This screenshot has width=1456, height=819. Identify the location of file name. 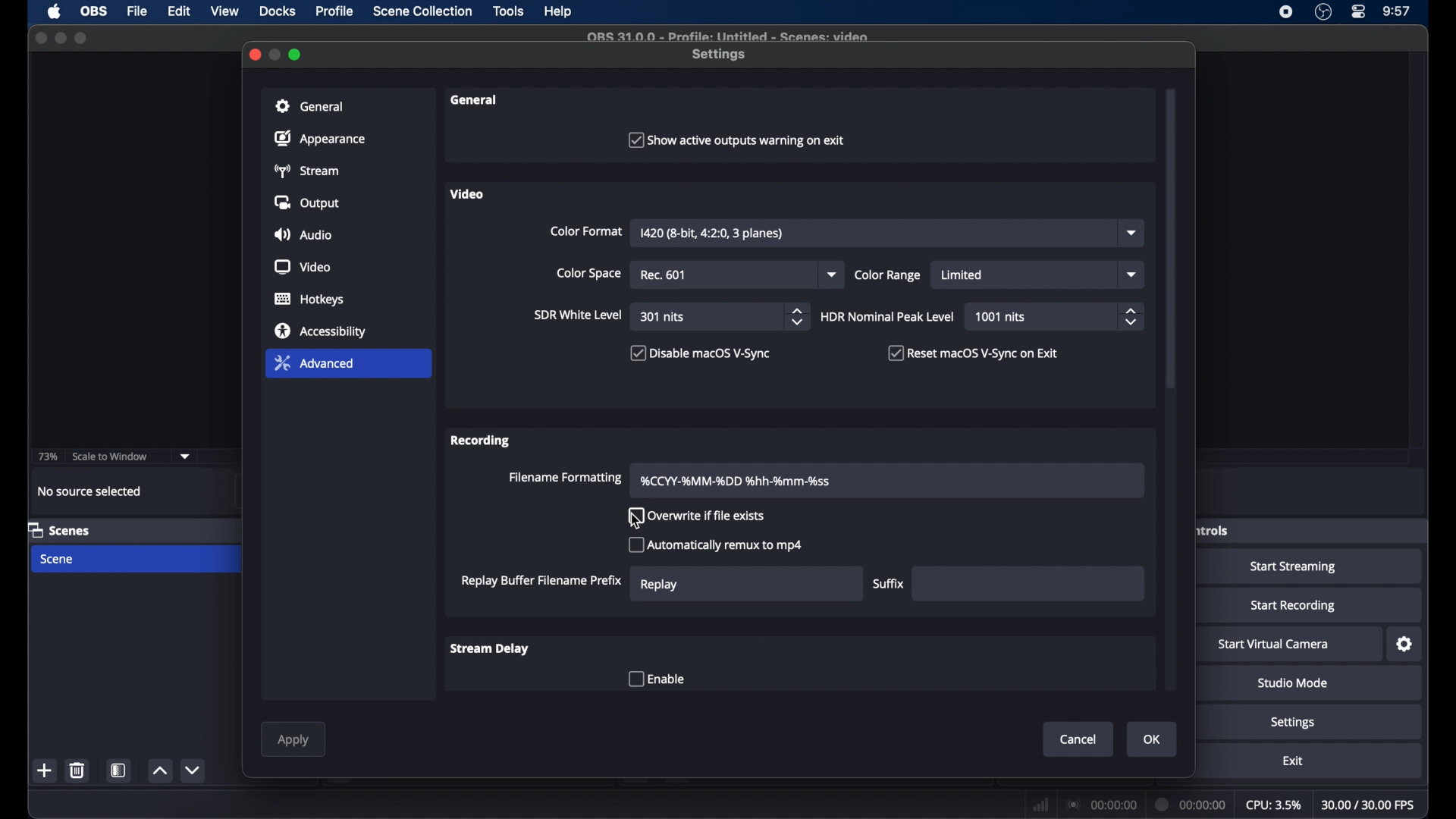
(730, 36).